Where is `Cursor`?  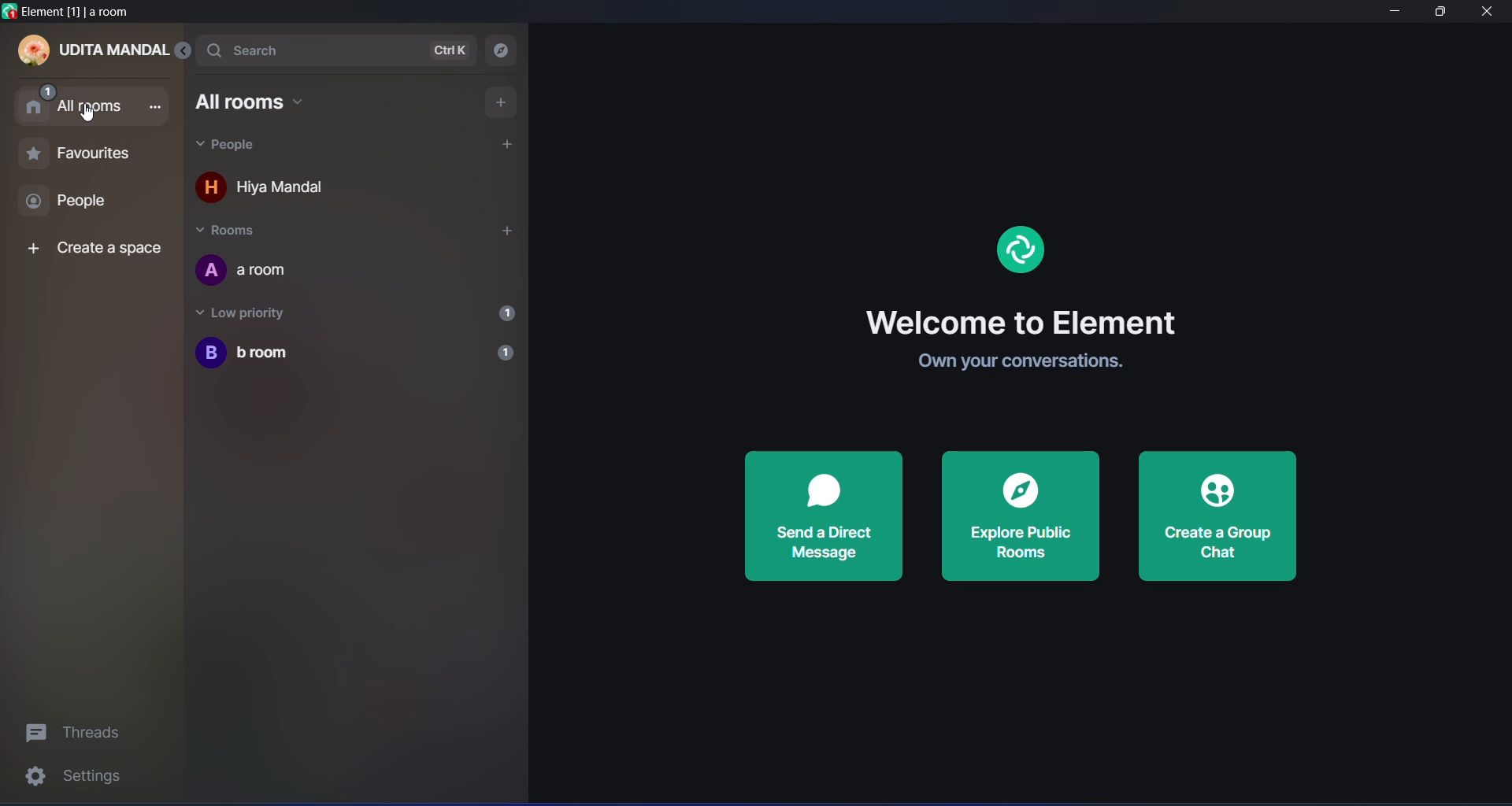 Cursor is located at coordinates (88, 116).